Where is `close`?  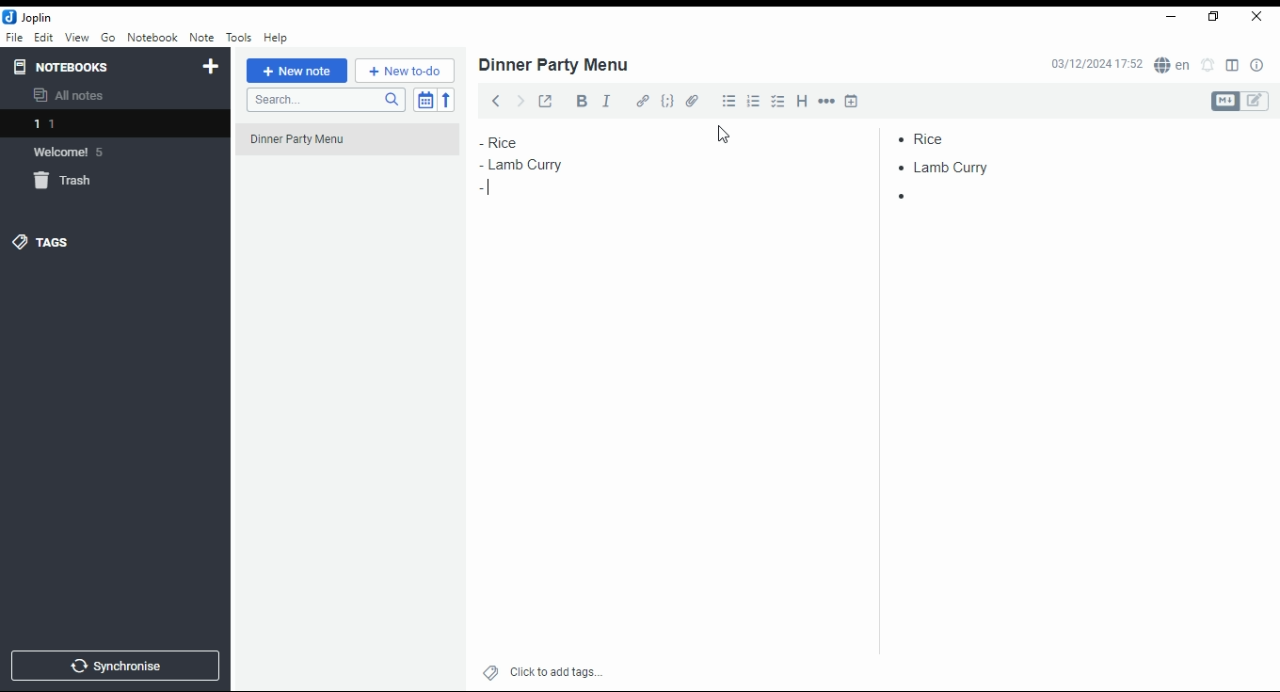 close is located at coordinates (1256, 18).